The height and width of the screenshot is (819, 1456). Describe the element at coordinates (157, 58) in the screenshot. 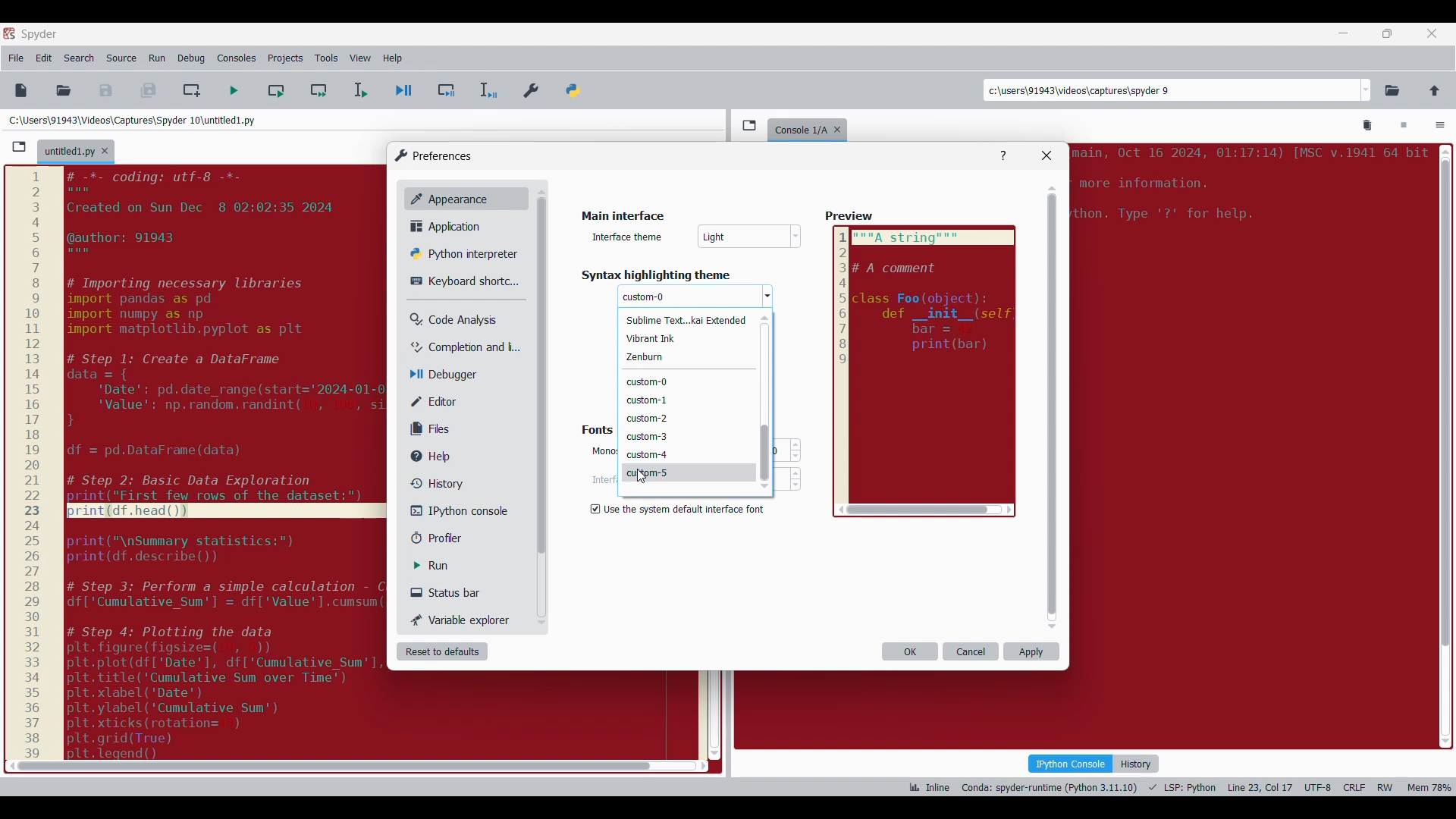

I see `Run menu` at that location.